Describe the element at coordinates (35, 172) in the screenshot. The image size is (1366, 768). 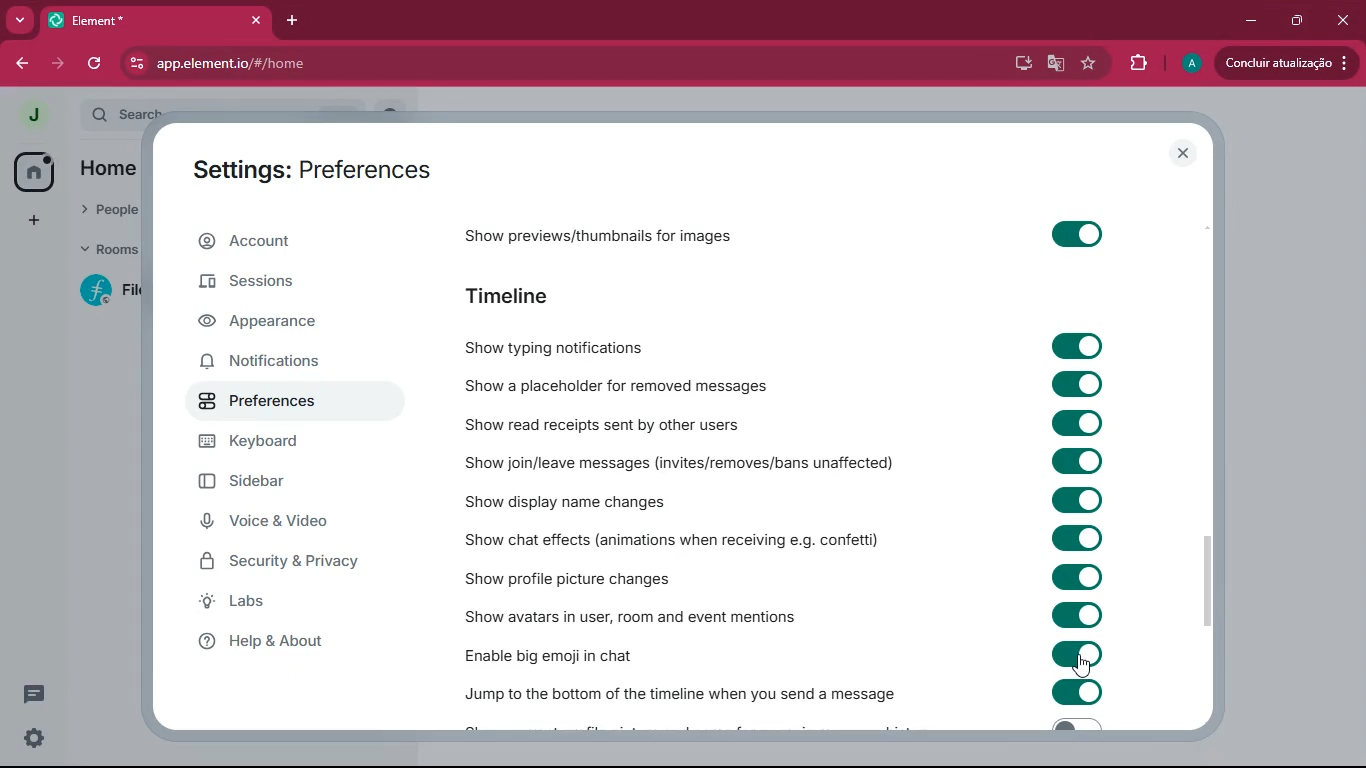
I see `home` at that location.